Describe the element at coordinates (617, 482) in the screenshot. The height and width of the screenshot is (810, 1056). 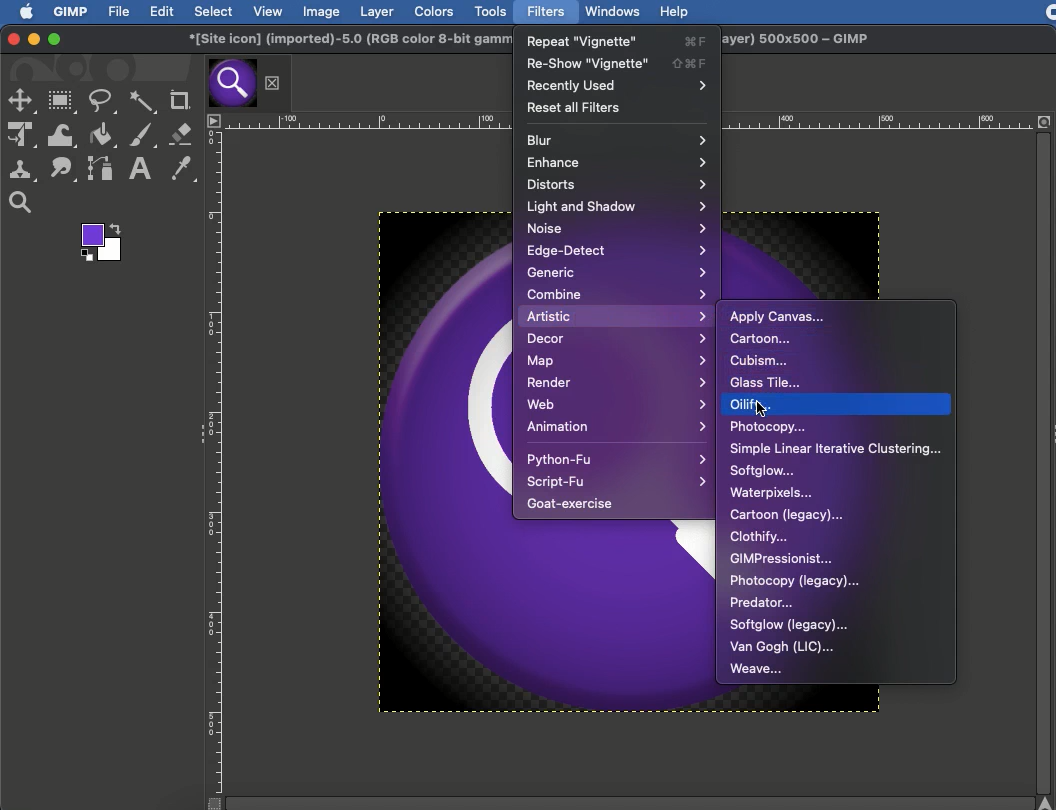
I see `Script fu` at that location.